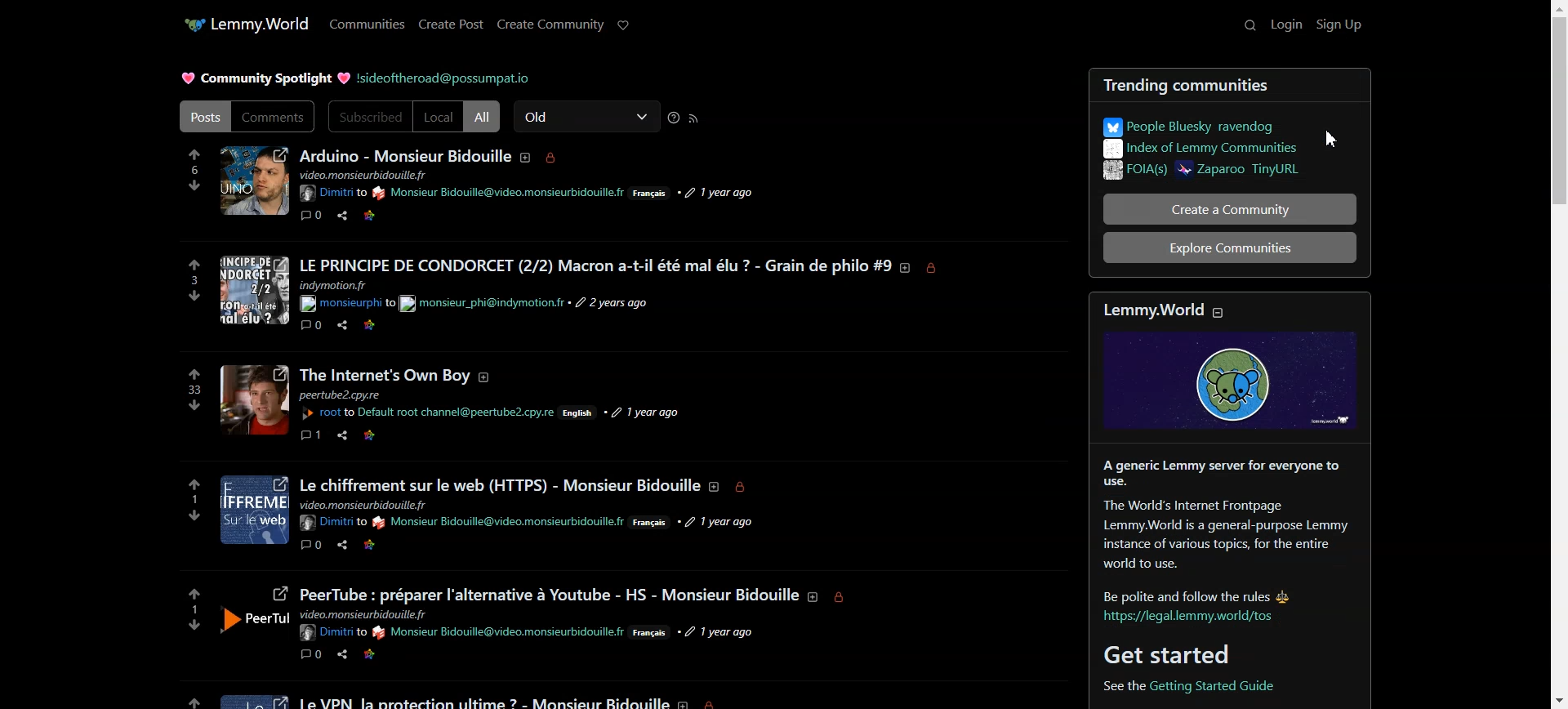 The height and width of the screenshot is (709, 1568). What do you see at coordinates (429, 438) in the screenshot?
I see `copy` at bounding box center [429, 438].